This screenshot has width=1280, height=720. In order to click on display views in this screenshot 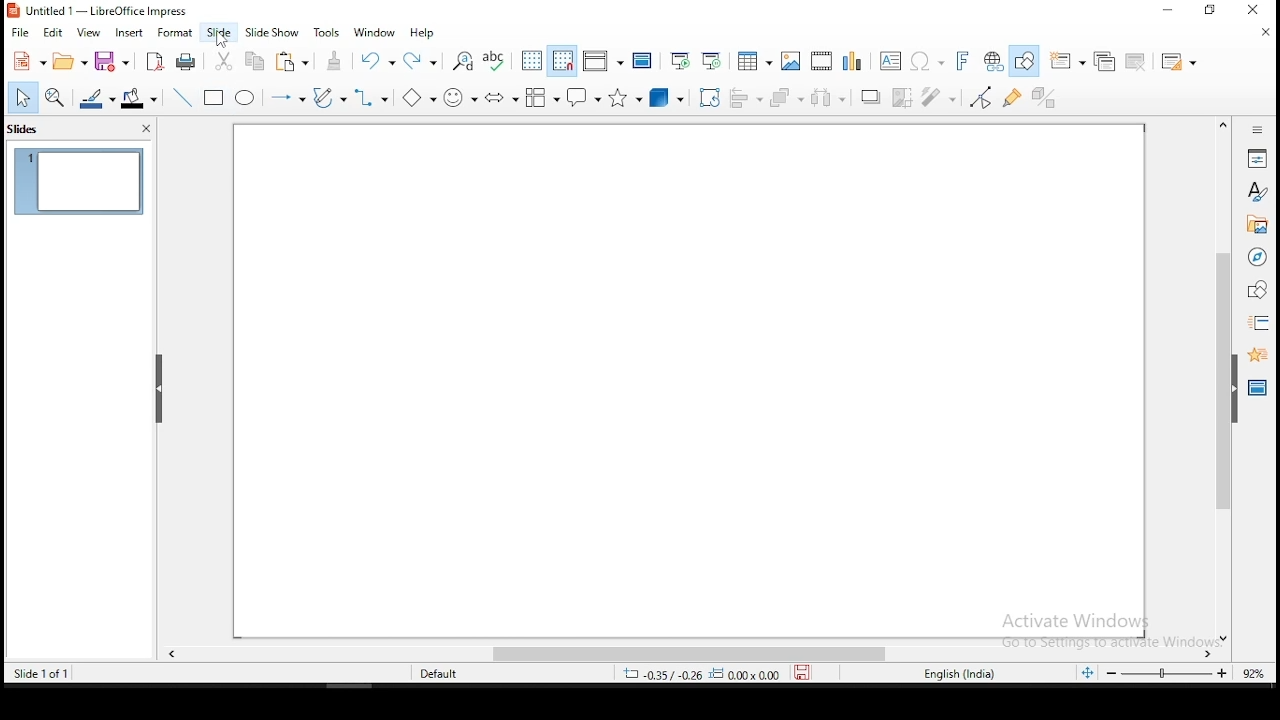, I will do `click(603, 60)`.